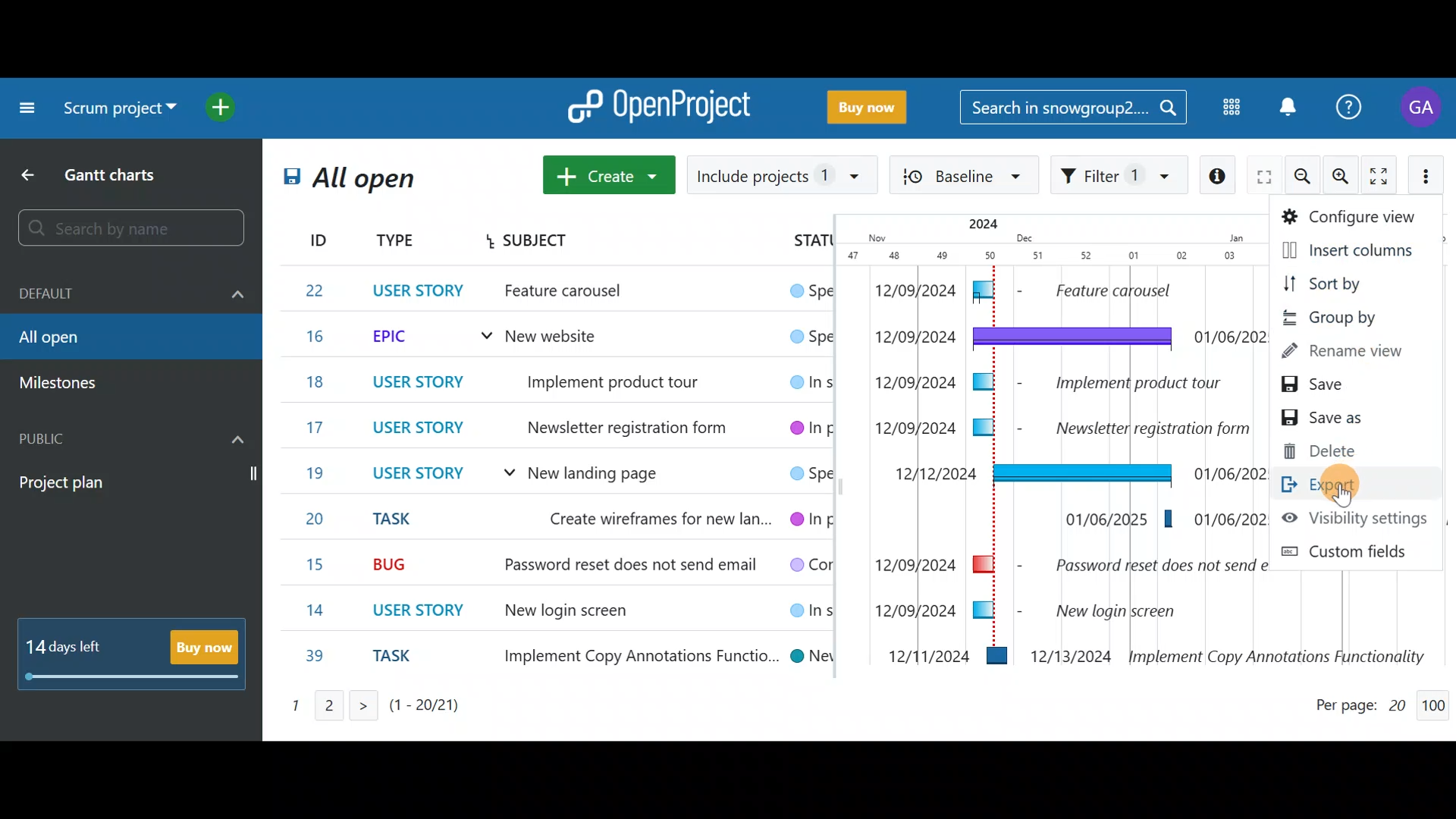 The width and height of the screenshot is (1456, 819). I want to click on All open, so click(118, 339).